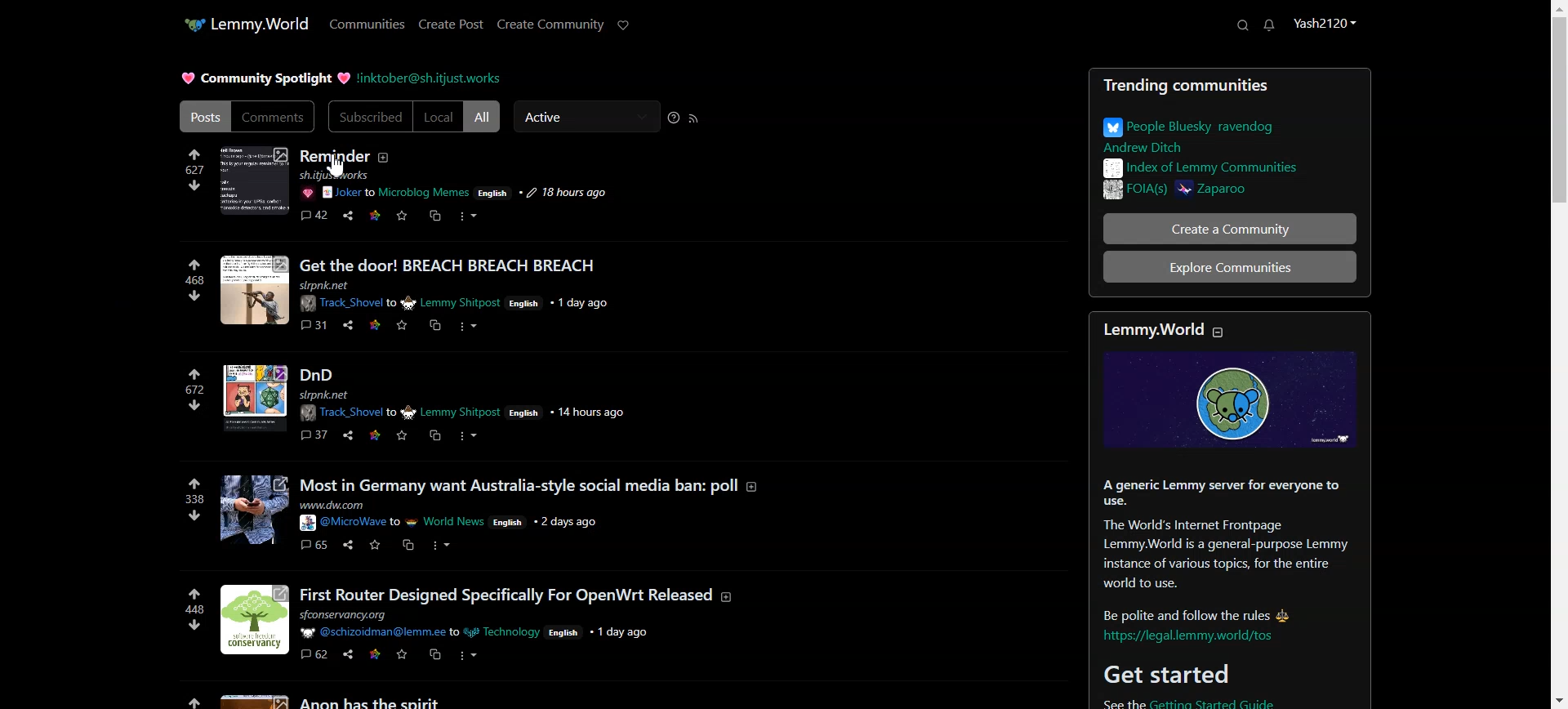  I want to click on Posts, so click(203, 116).